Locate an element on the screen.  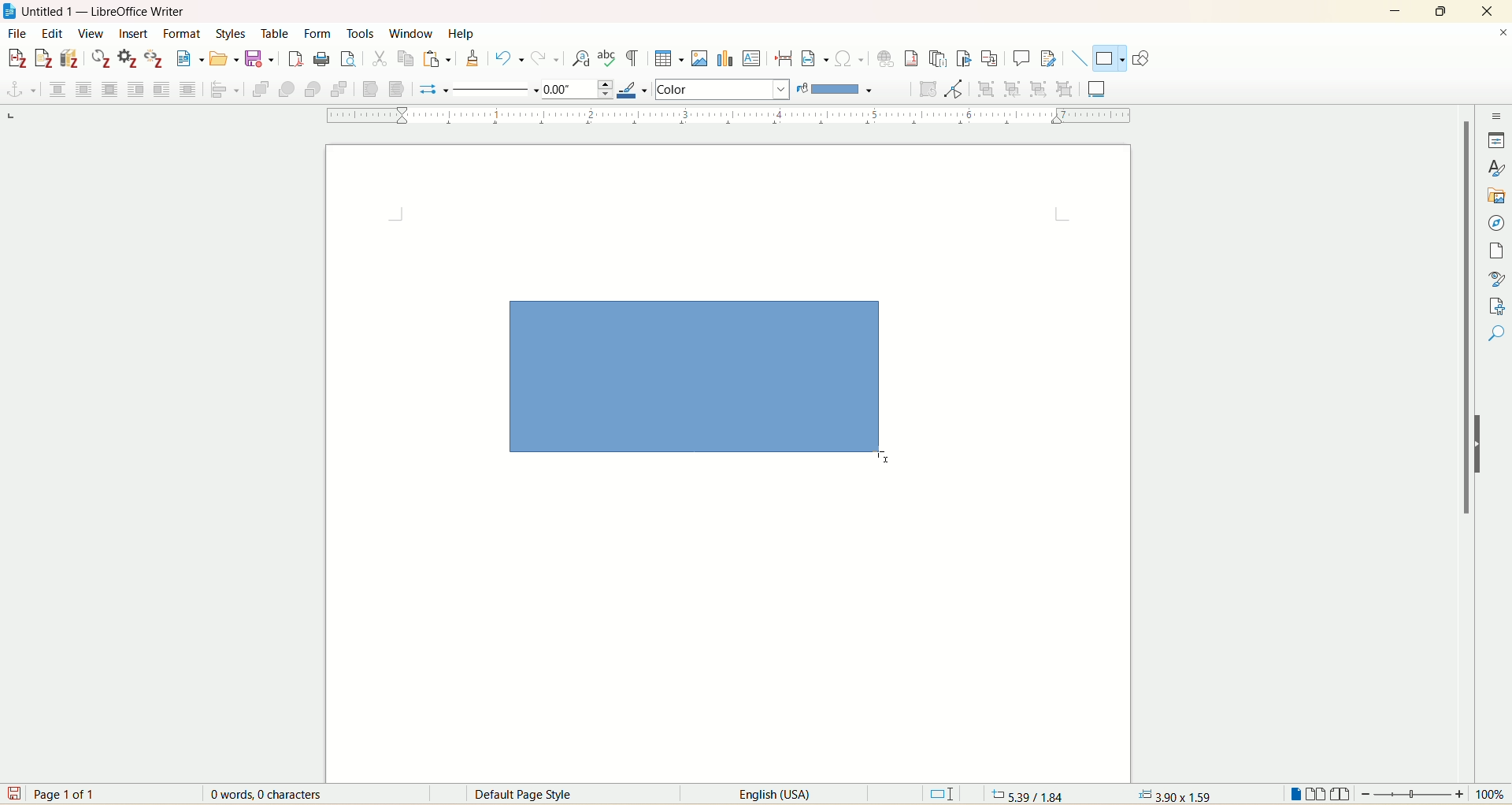
accessibility check is located at coordinates (1497, 333).